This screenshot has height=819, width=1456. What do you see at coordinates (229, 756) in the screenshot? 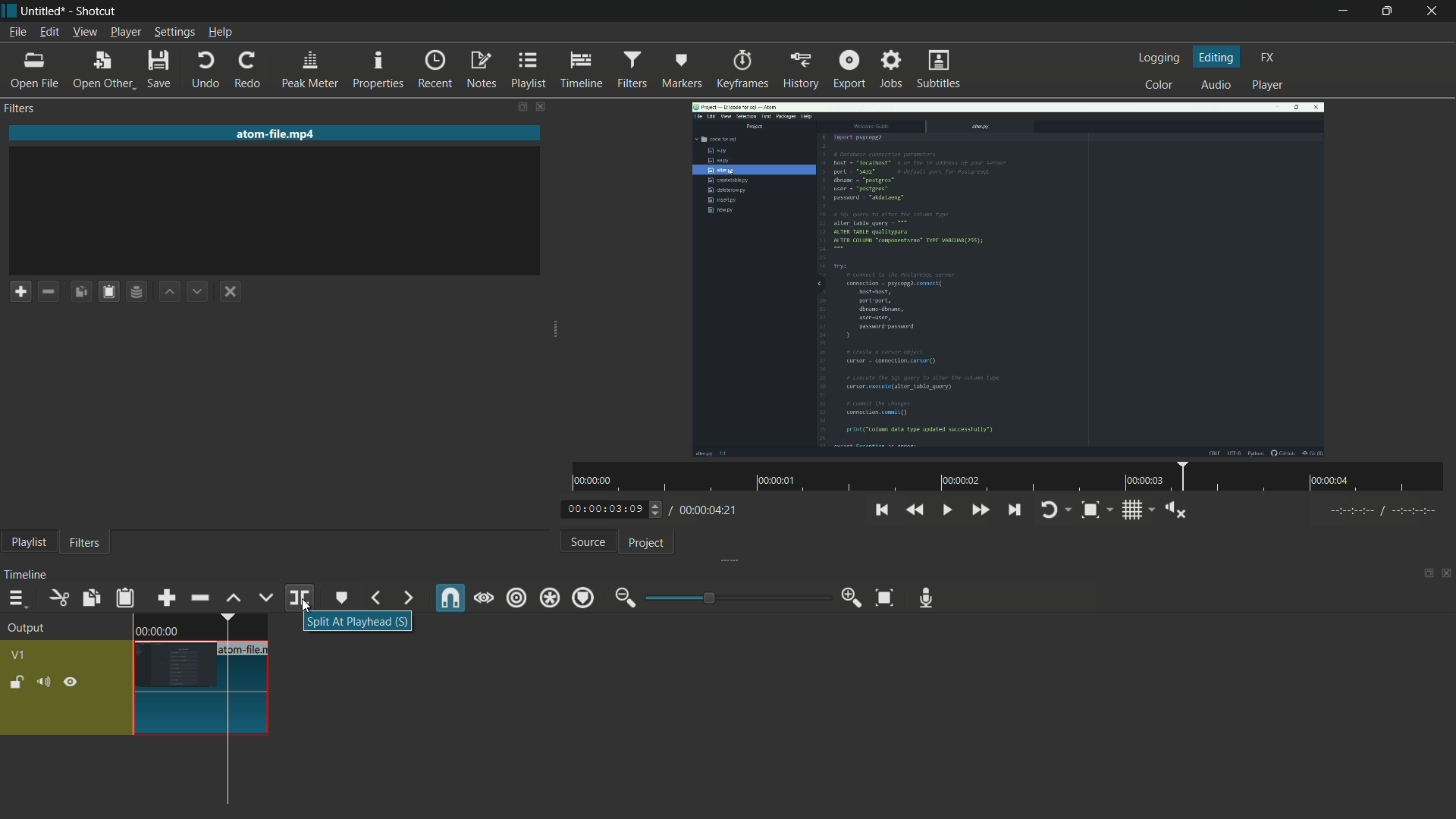
I see `cursor` at bounding box center [229, 756].